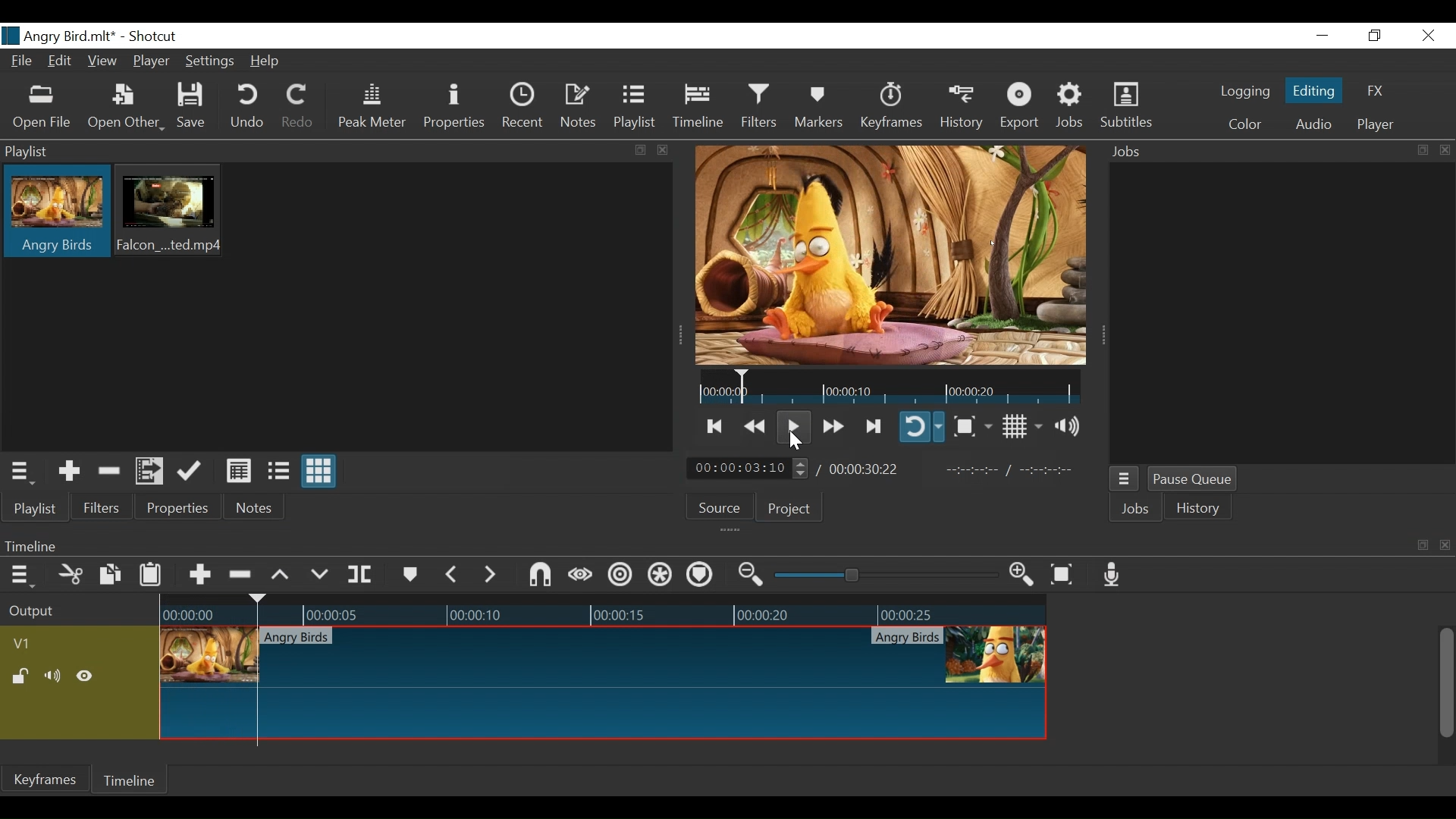  I want to click on Zoom timeline out, so click(748, 576).